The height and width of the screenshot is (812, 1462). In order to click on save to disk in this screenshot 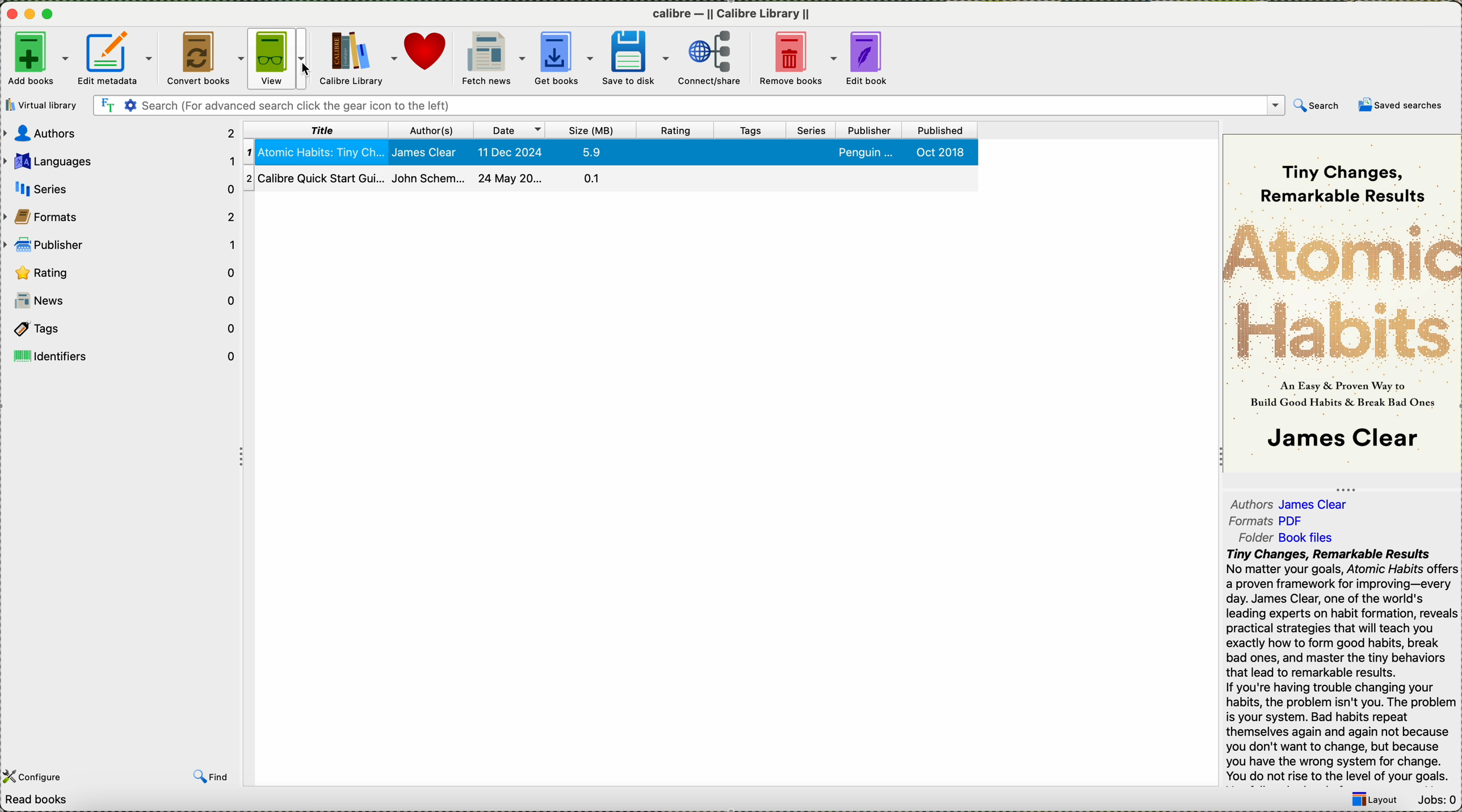, I will do `click(637, 58)`.